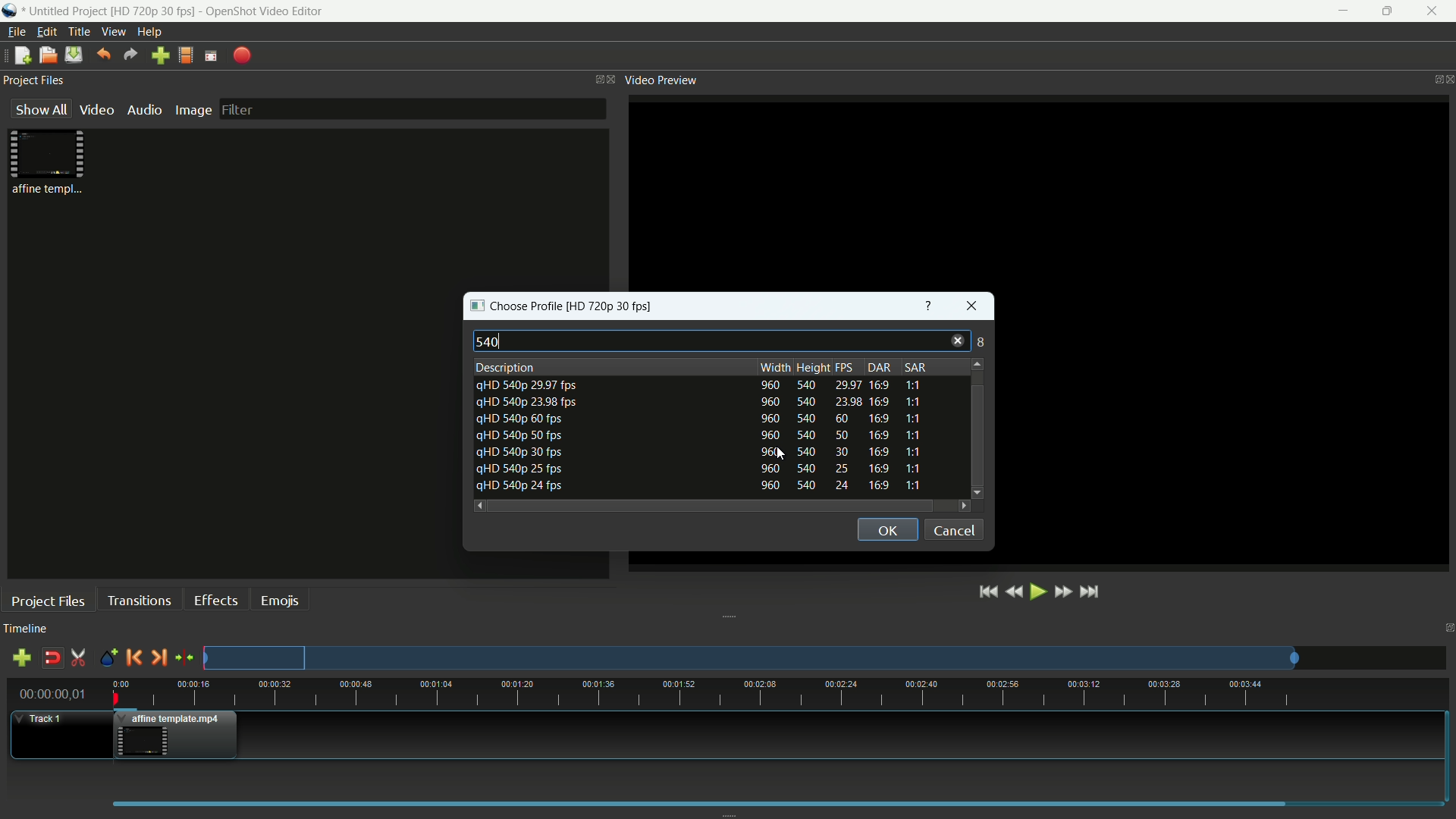 Image resolution: width=1456 pixels, height=819 pixels. Describe the element at coordinates (661, 80) in the screenshot. I see `video preview` at that location.